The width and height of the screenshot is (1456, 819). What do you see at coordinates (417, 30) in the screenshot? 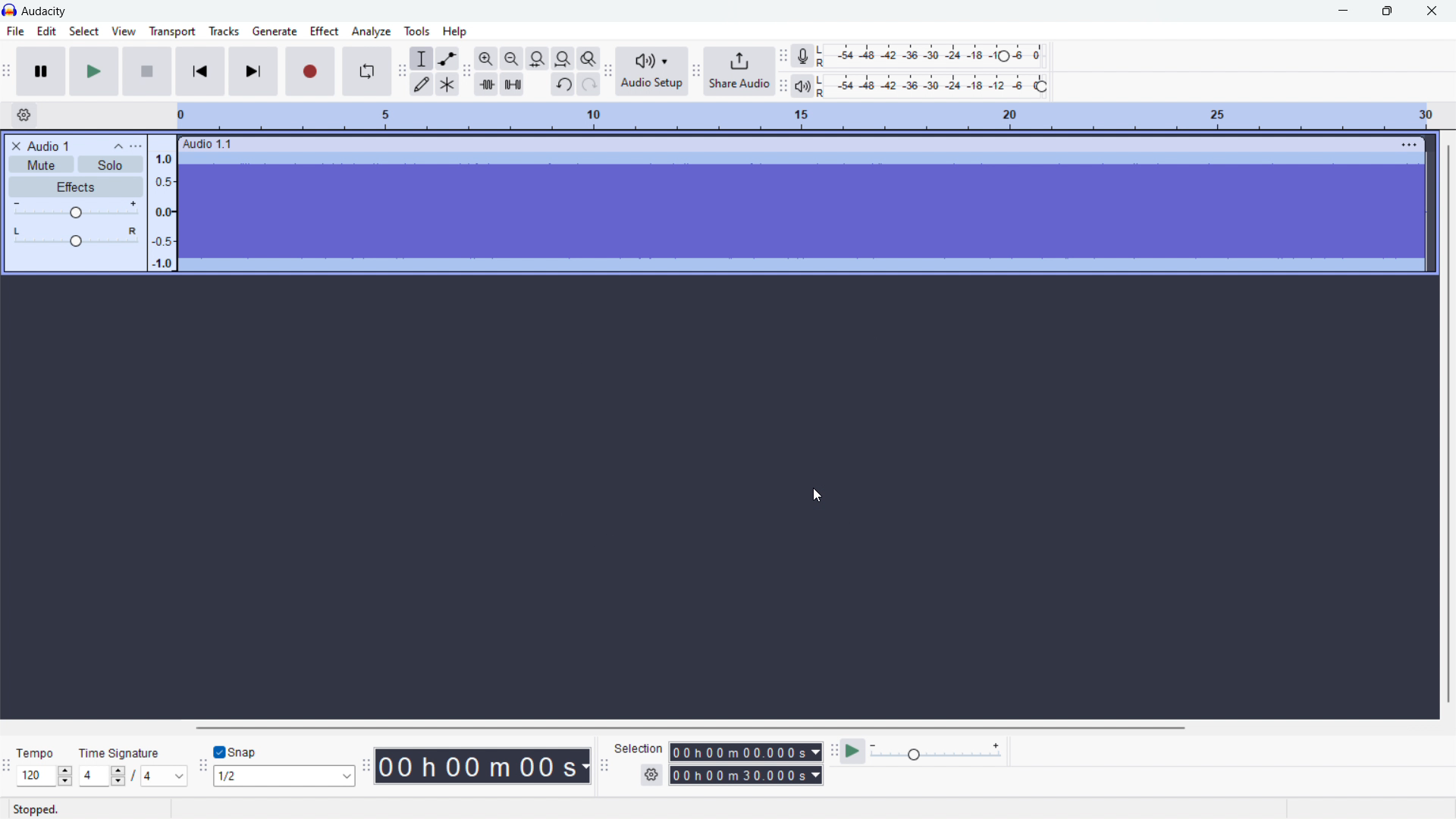
I see `Tools` at bounding box center [417, 30].